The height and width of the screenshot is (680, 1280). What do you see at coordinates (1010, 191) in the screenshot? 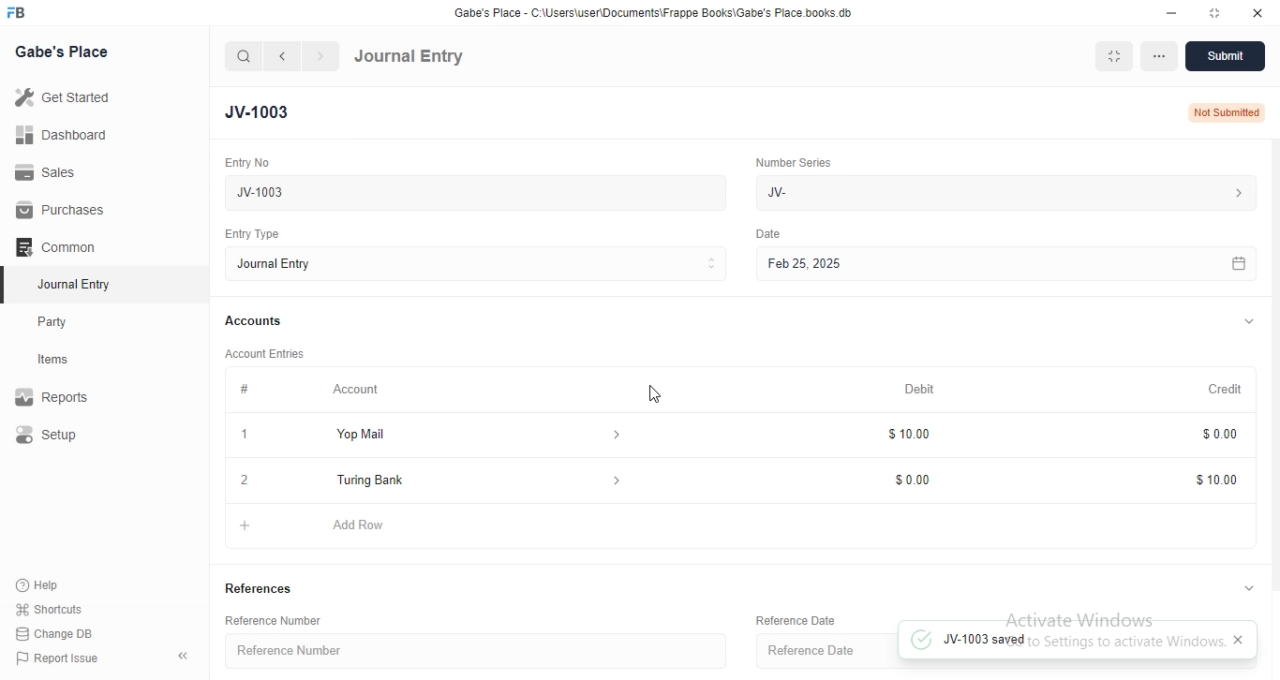
I see `Jv-` at bounding box center [1010, 191].